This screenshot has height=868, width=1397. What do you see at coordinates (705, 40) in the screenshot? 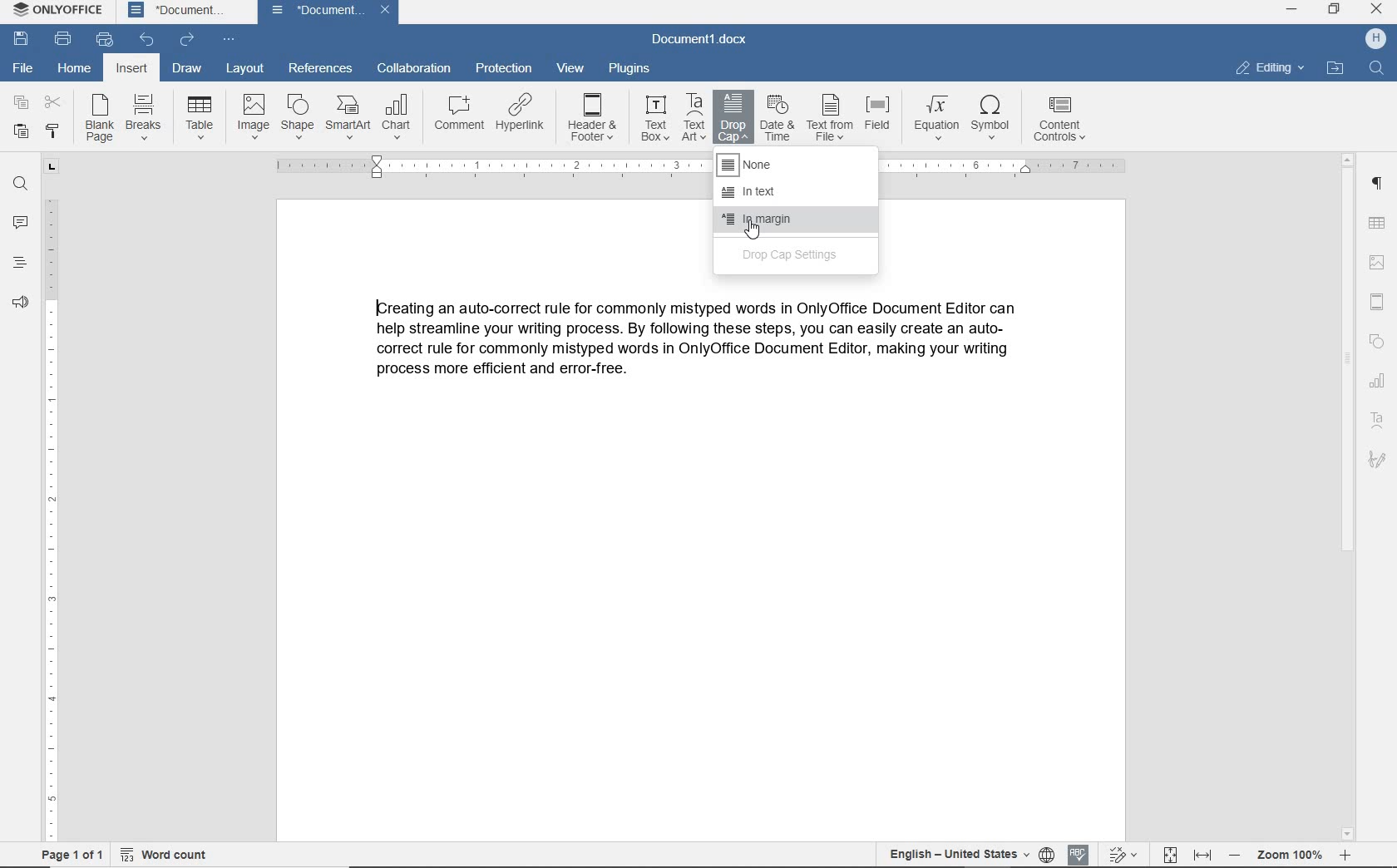
I see `document name` at bounding box center [705, 40].